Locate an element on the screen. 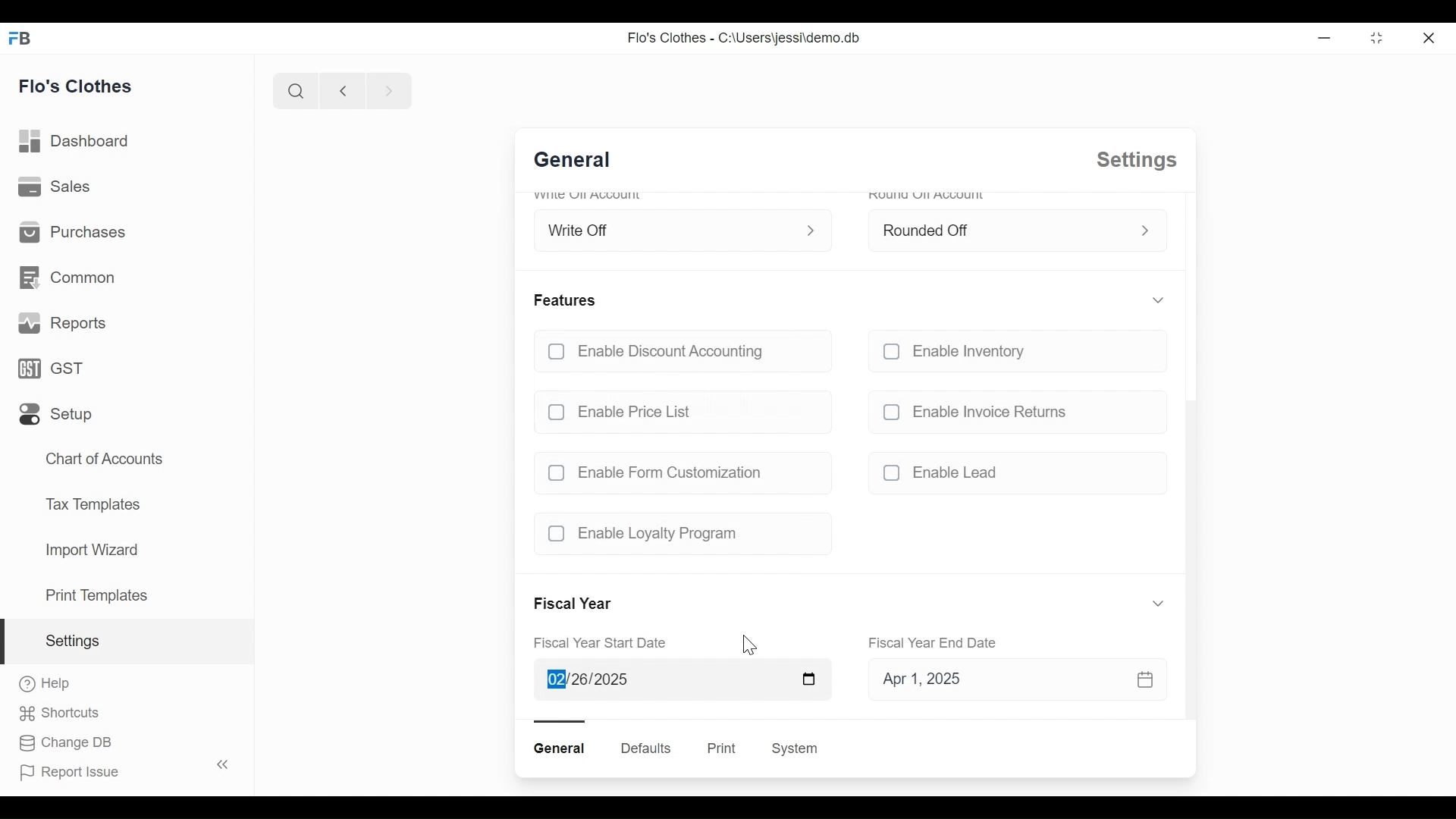 The image size is (1456, 819). unchecked Enable Invoice Returns is located at coordinates (1012, 411).